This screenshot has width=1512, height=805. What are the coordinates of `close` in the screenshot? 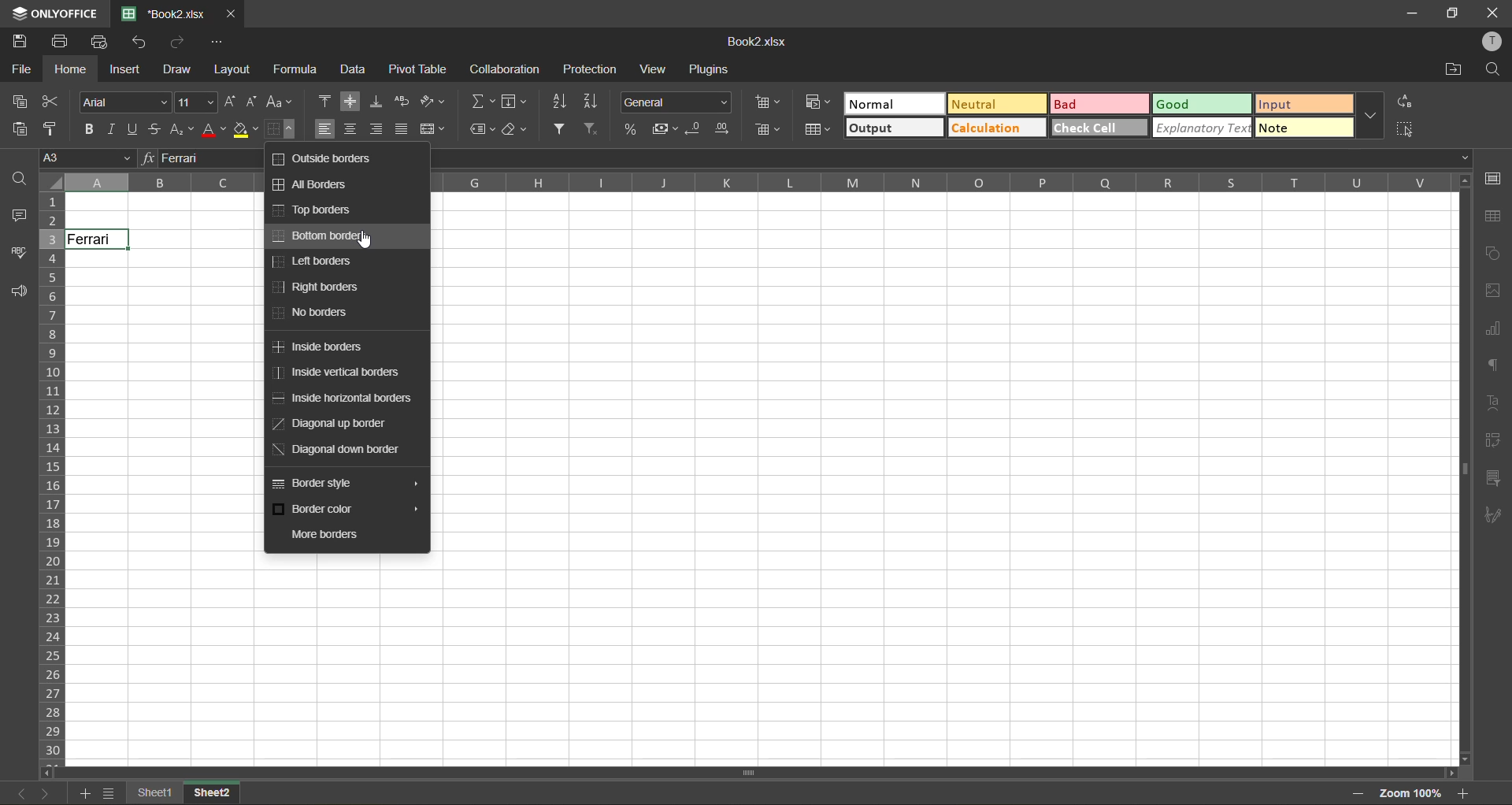 It's located at (234, 13).